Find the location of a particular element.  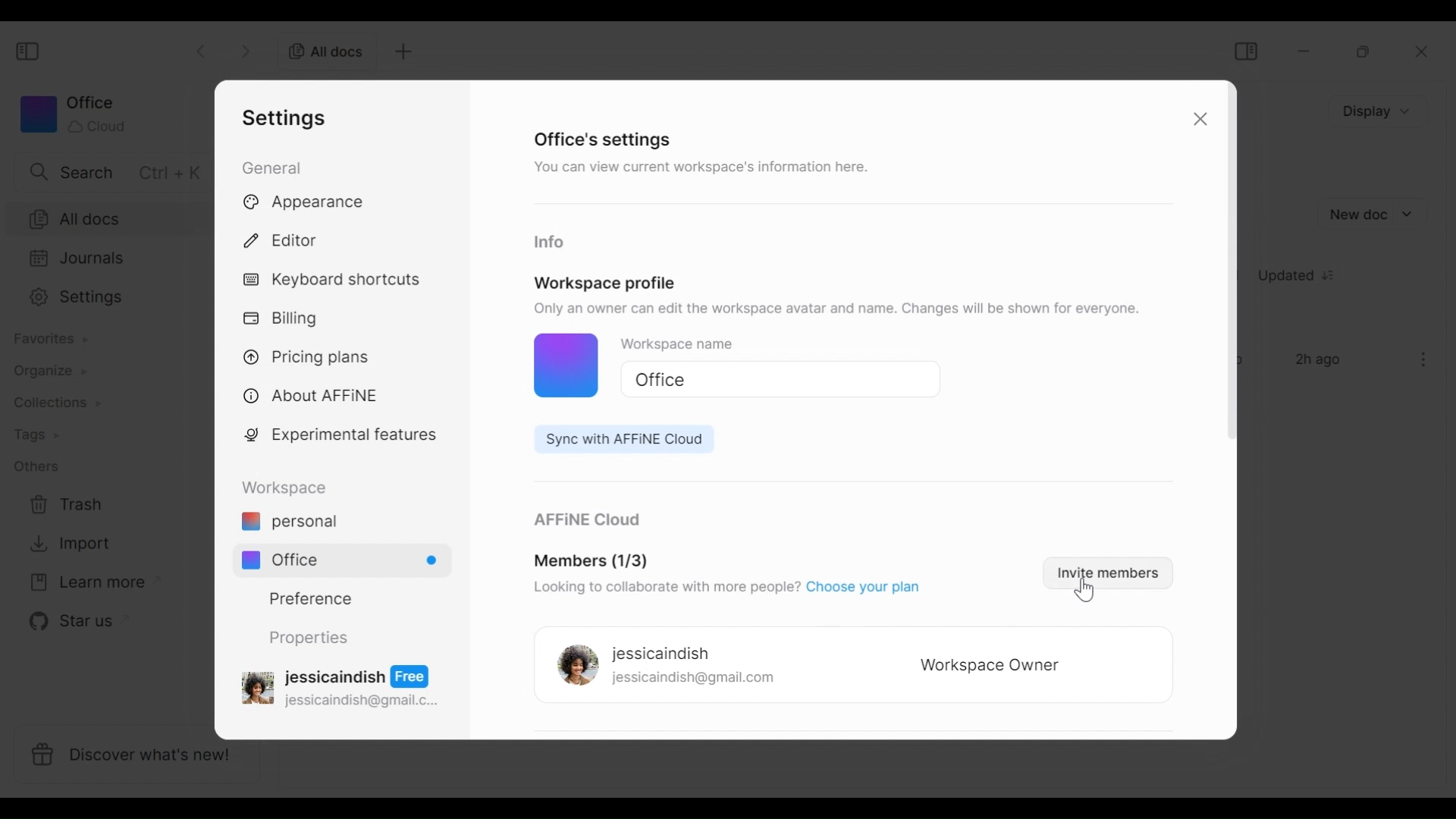

Import is located at coordinates (67, 544).